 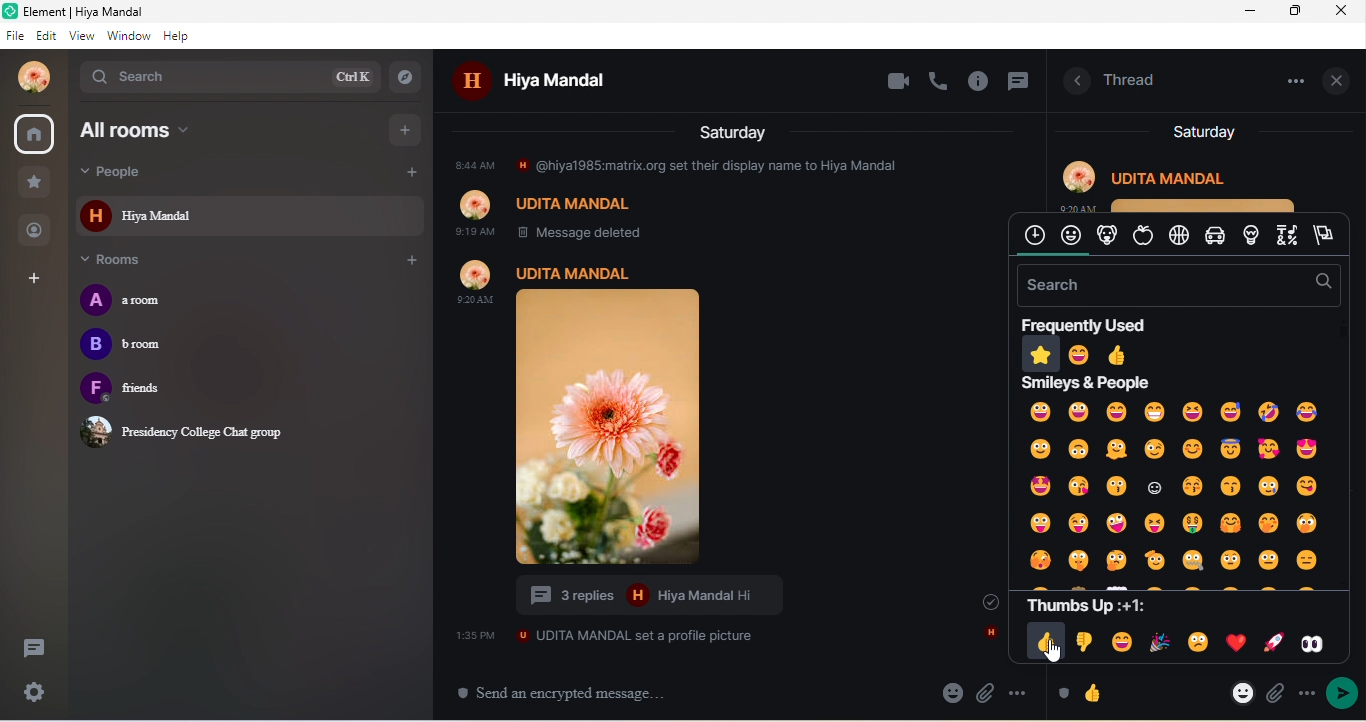 I want to click on attachment, so click(x=1275, y=696).